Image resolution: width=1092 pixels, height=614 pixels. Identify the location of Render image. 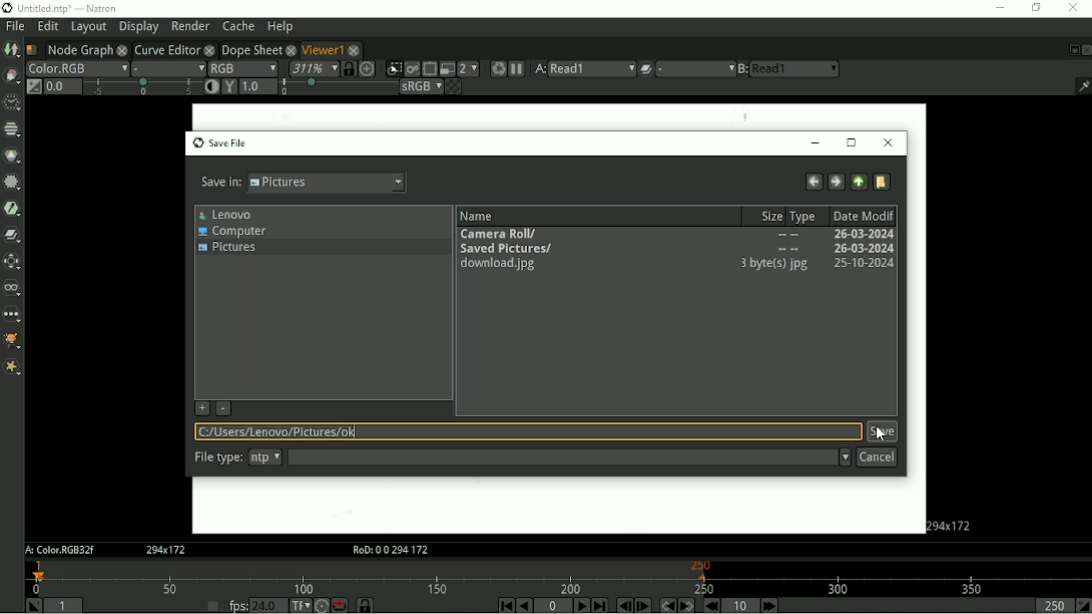
(411, 69).